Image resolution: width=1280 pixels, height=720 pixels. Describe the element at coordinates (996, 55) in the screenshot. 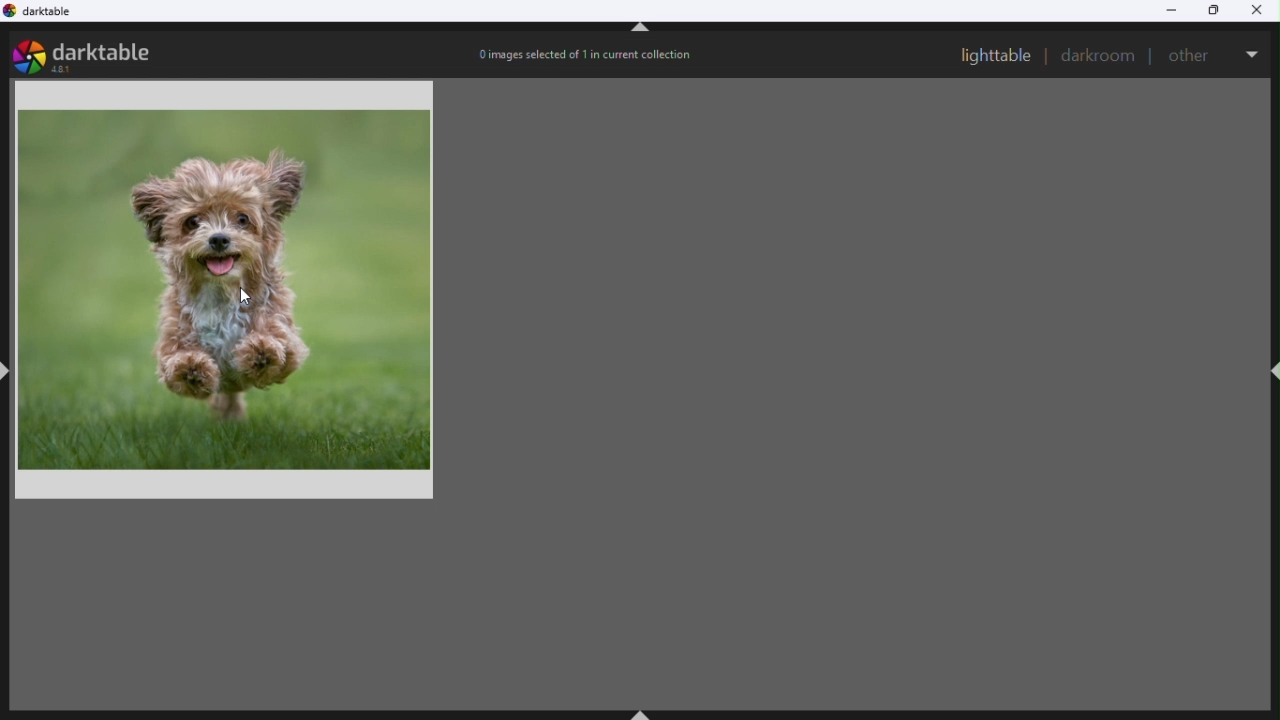

I see `Light table` at that location.